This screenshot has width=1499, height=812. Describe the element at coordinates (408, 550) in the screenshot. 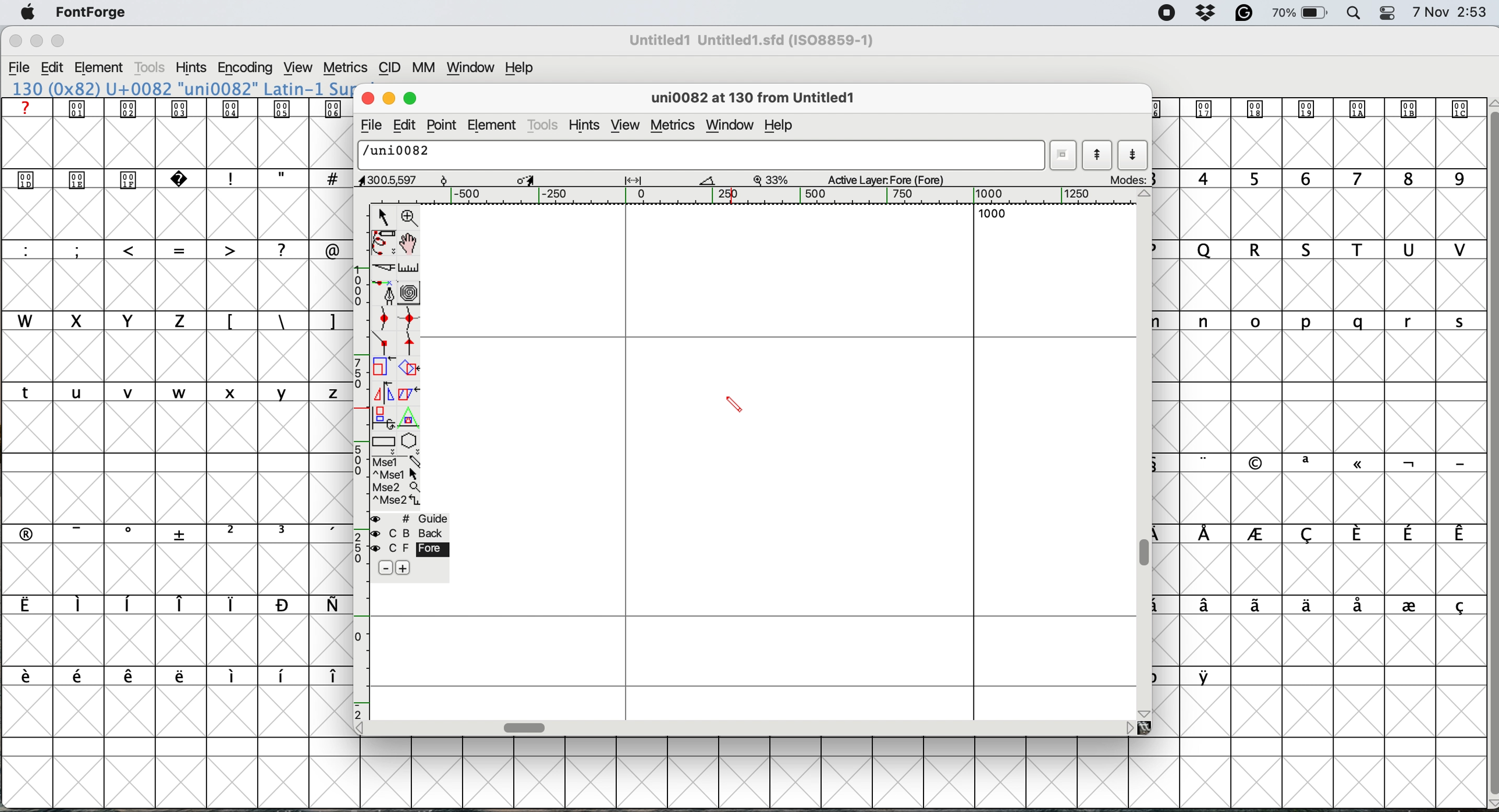

I see `fore` at that location.